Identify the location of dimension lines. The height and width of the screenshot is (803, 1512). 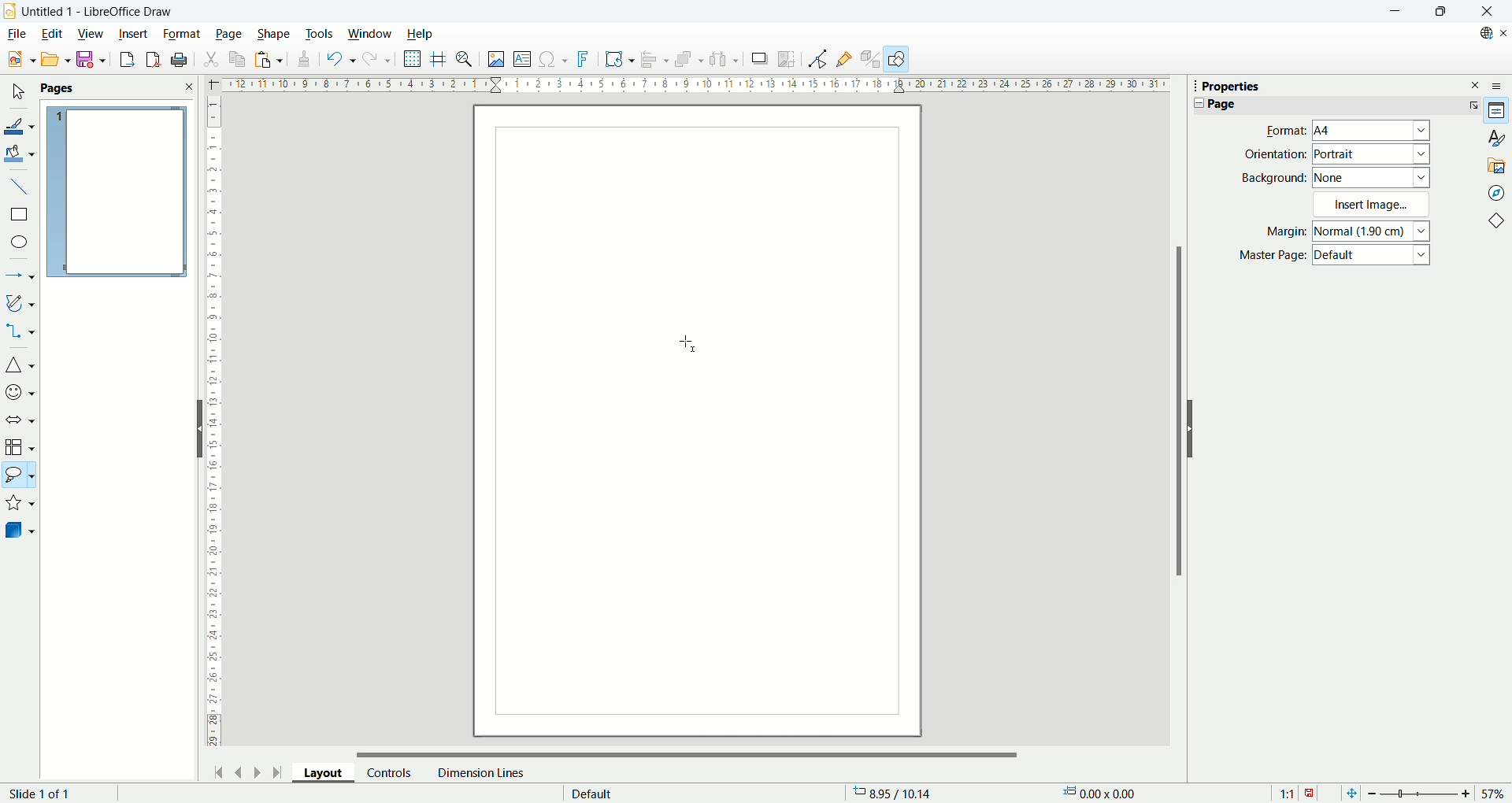
(480, 772).